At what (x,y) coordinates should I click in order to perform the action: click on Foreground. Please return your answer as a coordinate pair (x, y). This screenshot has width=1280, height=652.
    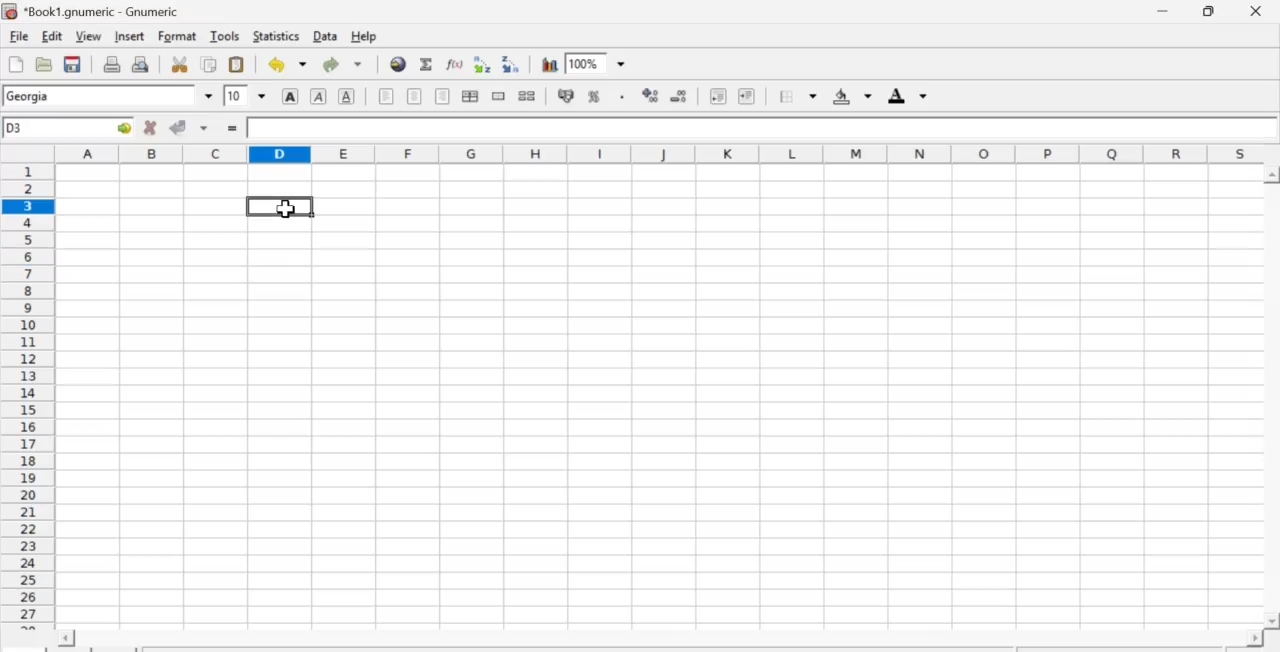
    Looking at the image, I should click on (908, 97).